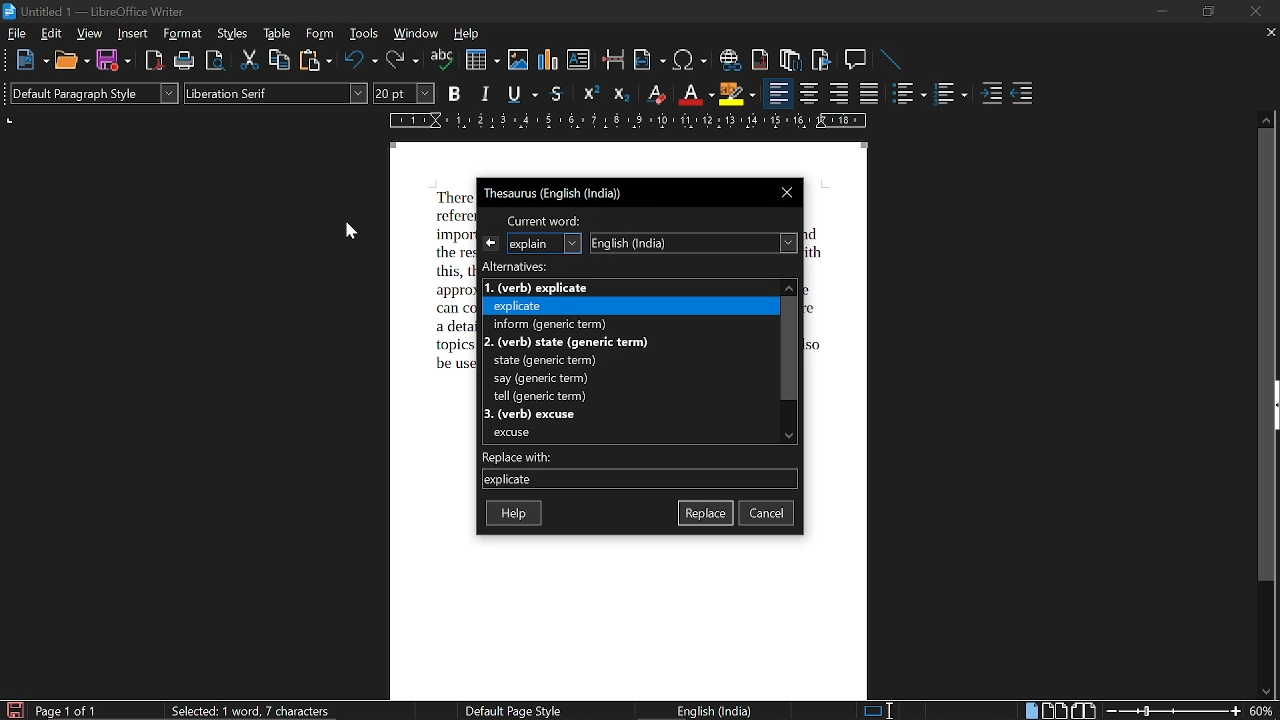 This screenshot has width=1280, height=720. I want to click on text color, so click(696, 95).